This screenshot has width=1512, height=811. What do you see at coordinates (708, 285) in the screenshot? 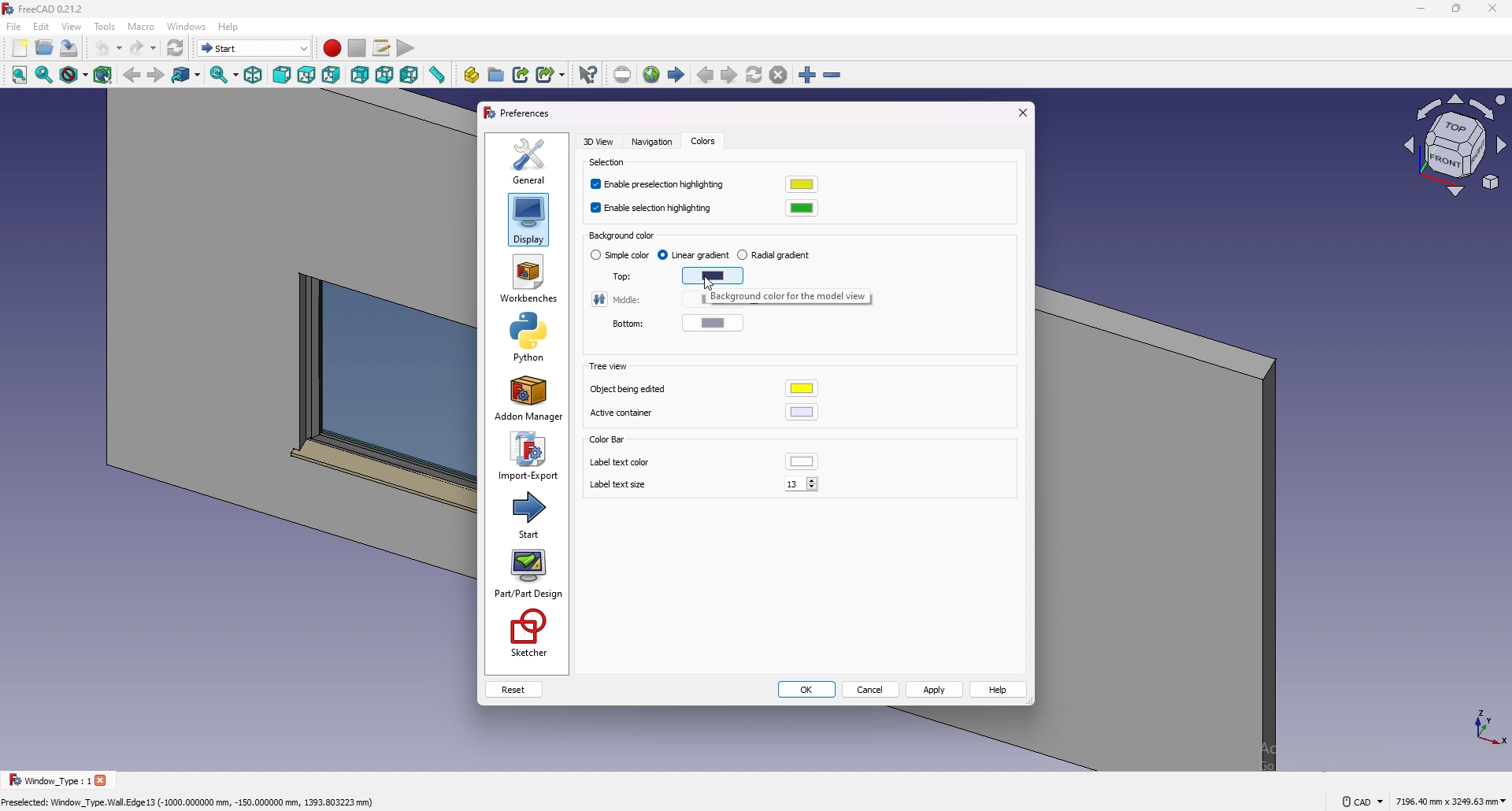
I see `cursor` at bounding box center [708, 285].